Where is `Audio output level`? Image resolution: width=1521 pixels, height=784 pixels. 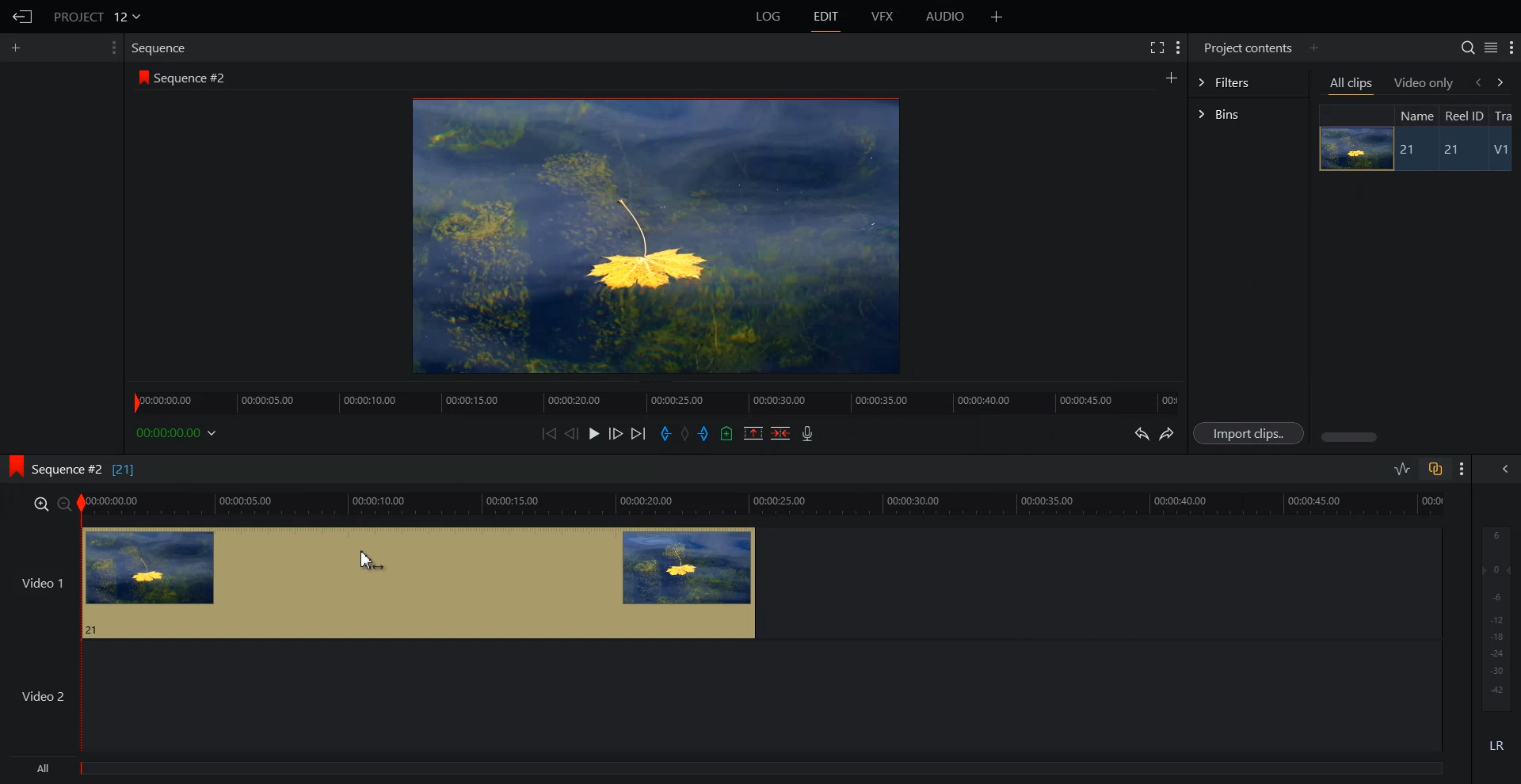
Audio output level is located at coordinates (1493, 616).